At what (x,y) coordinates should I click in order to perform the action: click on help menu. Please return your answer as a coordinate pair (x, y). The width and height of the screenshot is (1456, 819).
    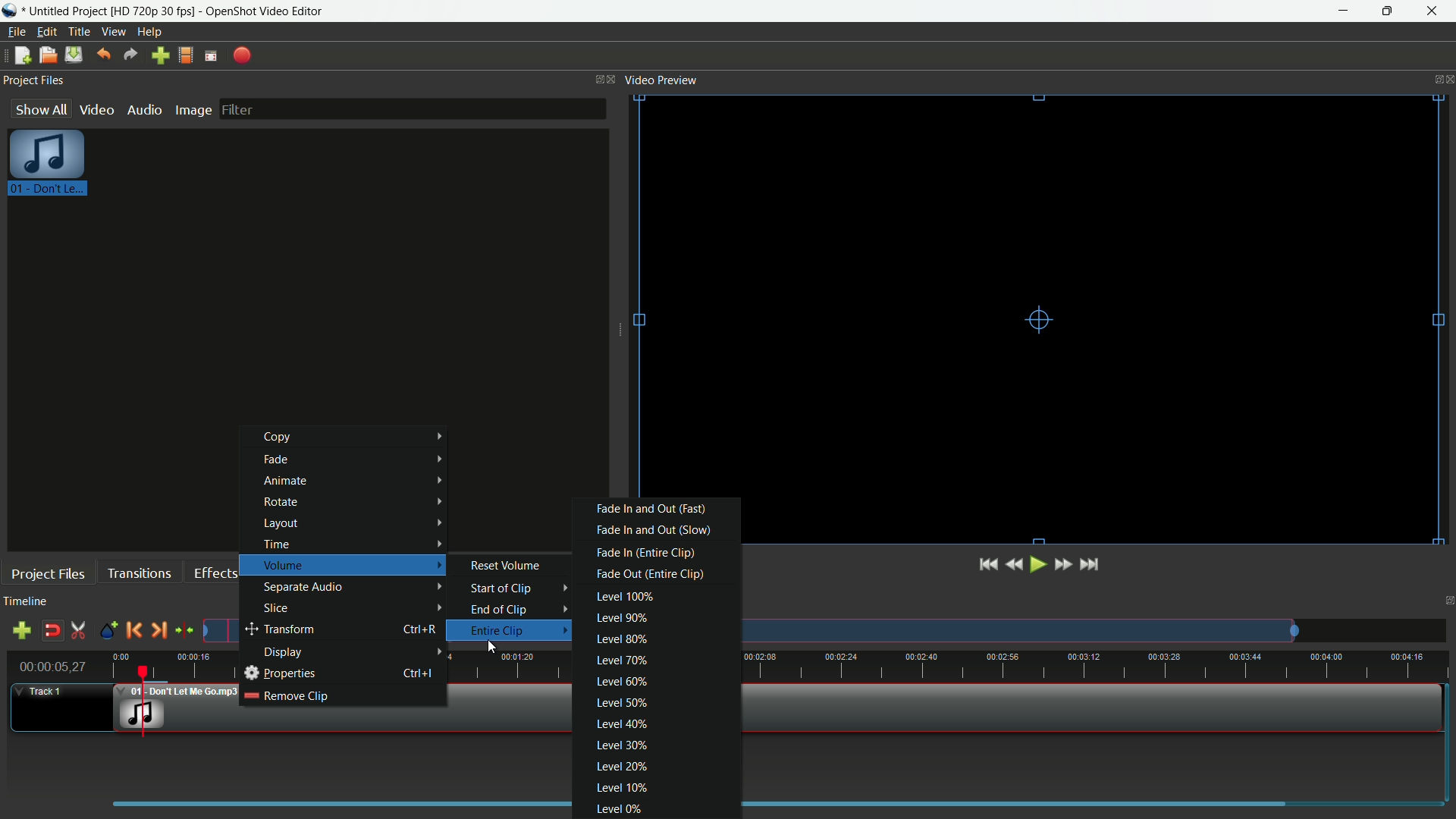
    Looking at the image, I should click on (149, 32).